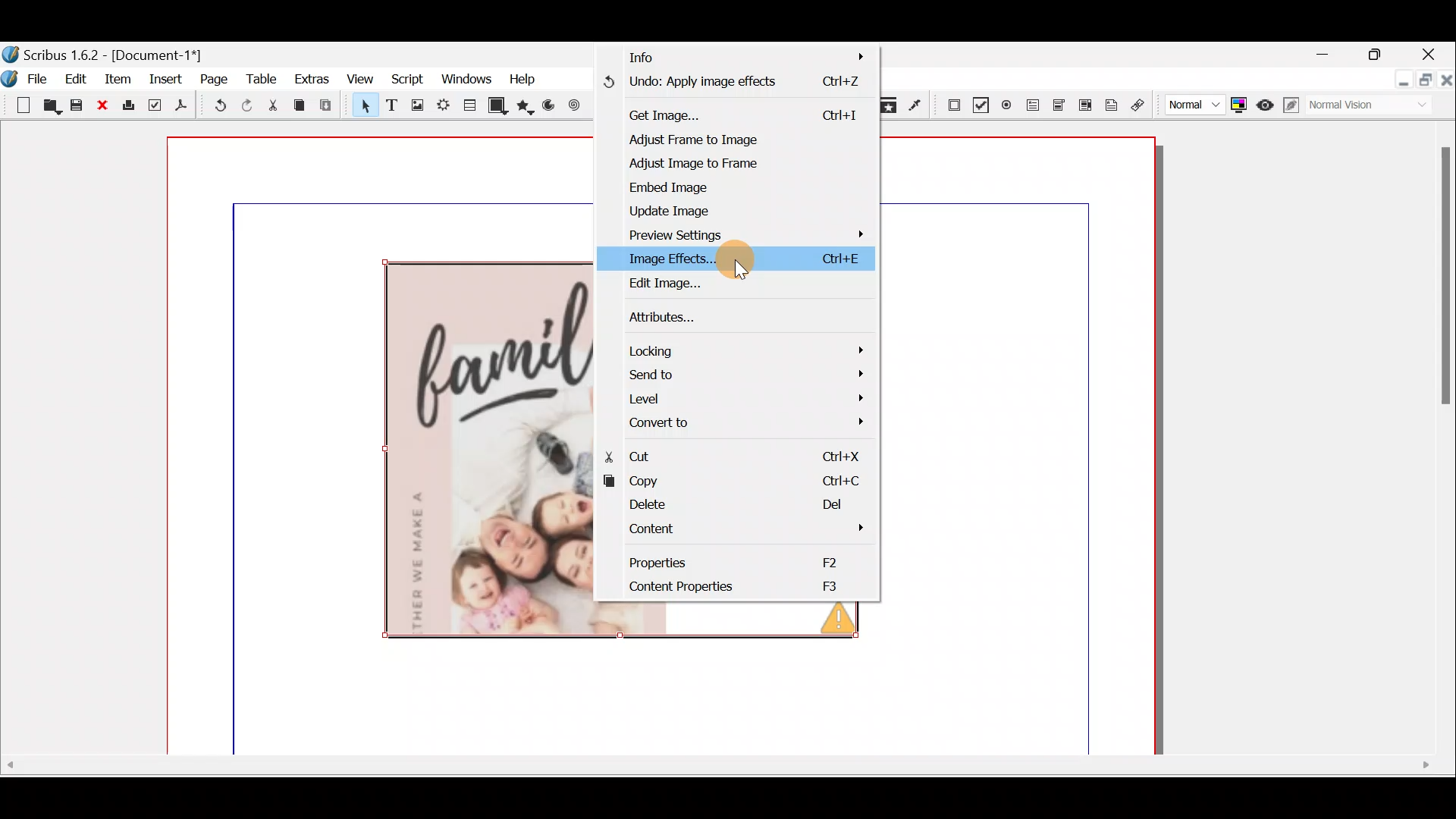  What do you see at coordinates (917, 104) in the screenshot?
I see `Eye dropper` at bounding box center [917, 104].